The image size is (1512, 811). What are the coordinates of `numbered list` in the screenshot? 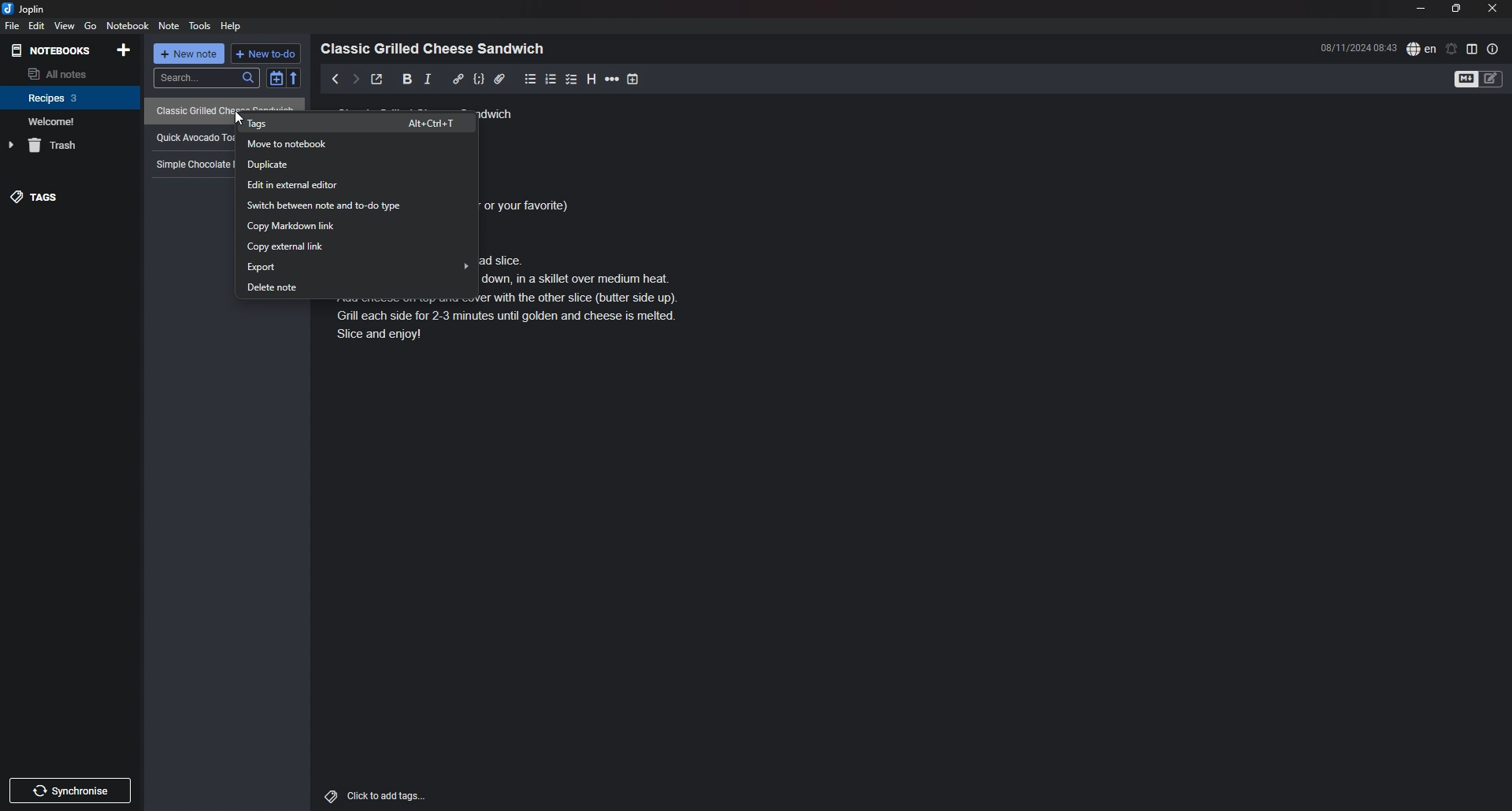 It's located at (552, 80).